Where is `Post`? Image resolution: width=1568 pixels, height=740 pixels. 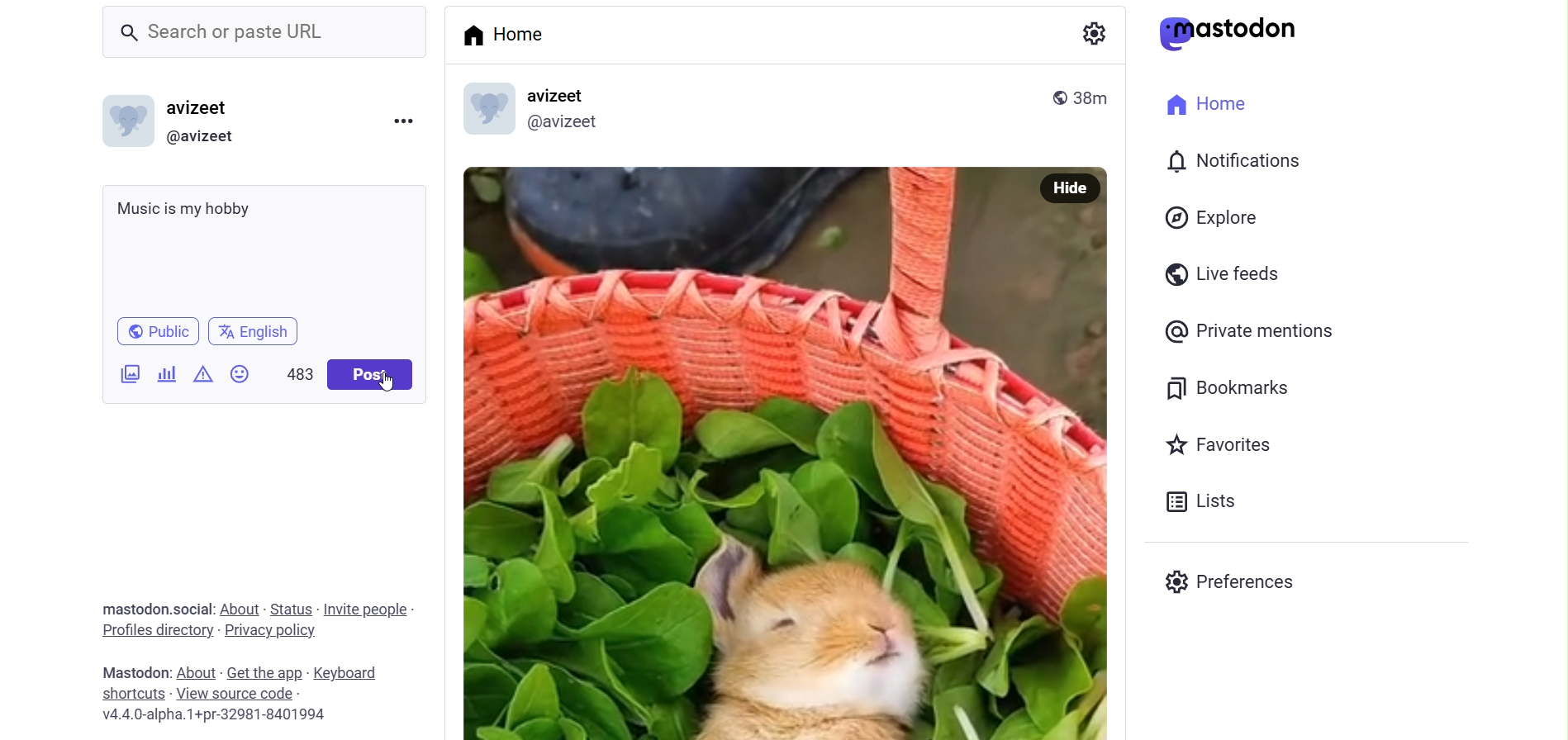 Post is located at coordinates (742, 453).